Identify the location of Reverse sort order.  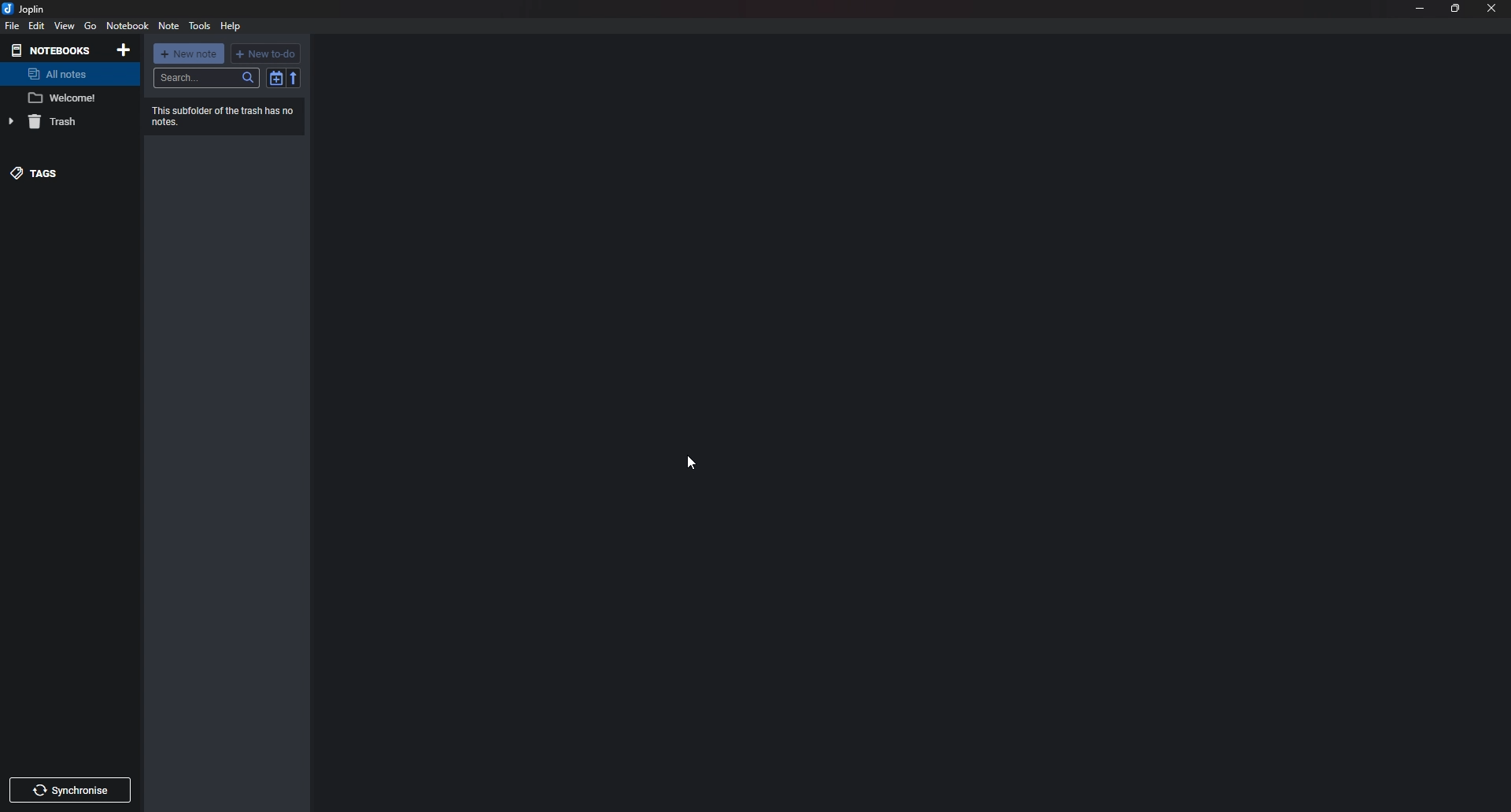
(293, 78).